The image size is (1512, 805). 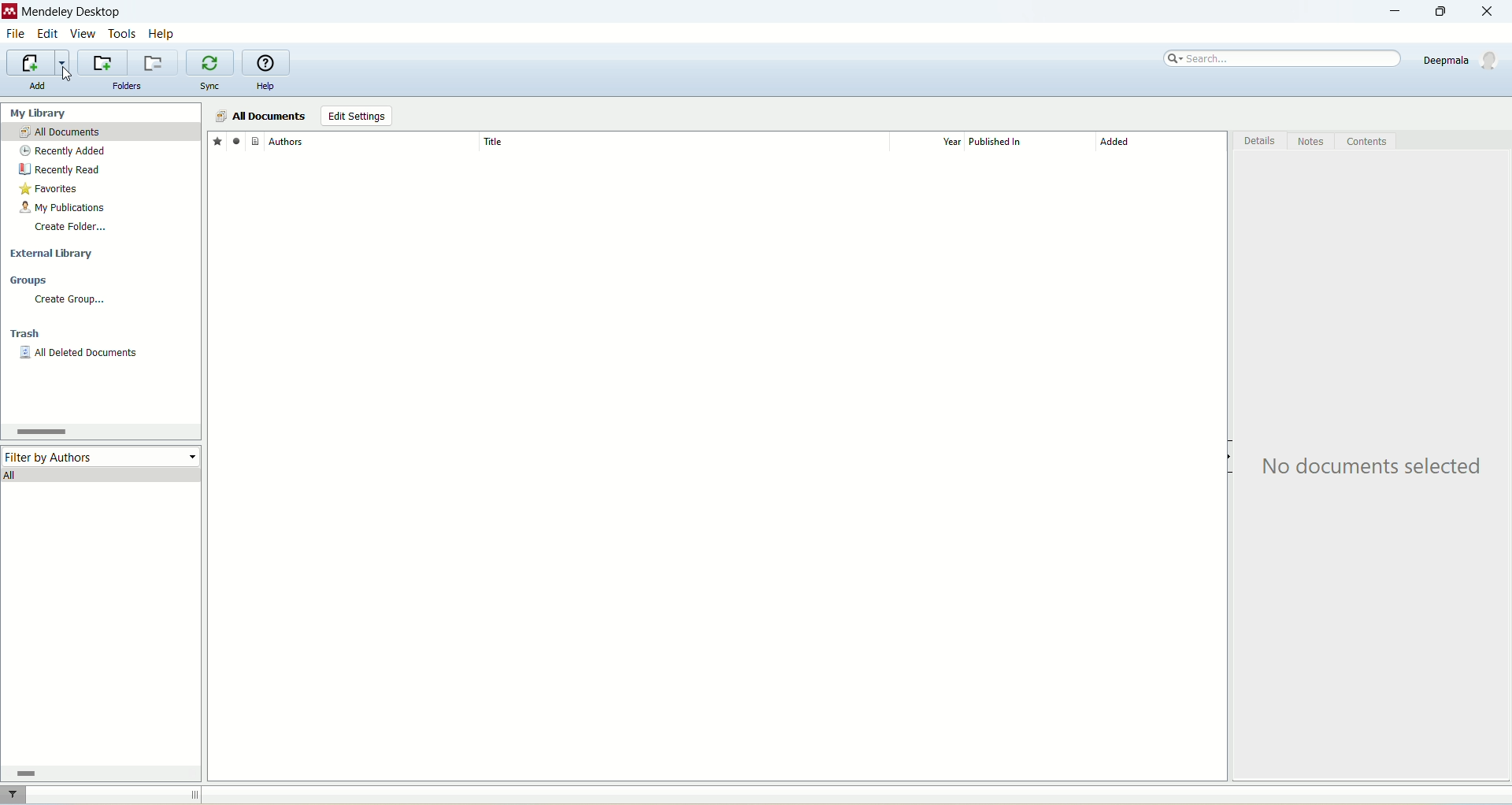 I want to click on recently added, so click(x=63, y=151).